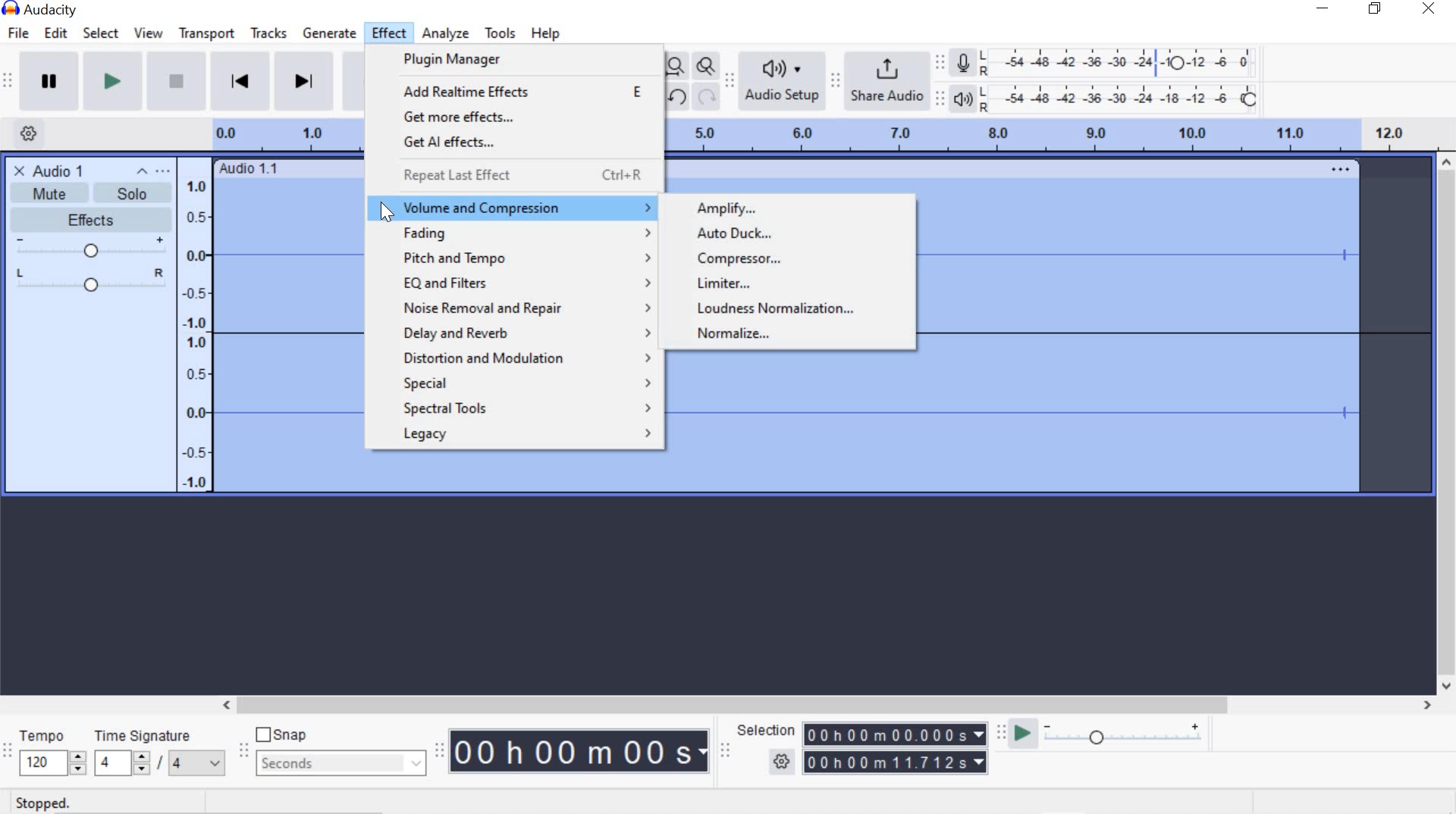  Describe the element at coordinates (525, 258) in the screenshot. I see `pitch and tempo` at that location.